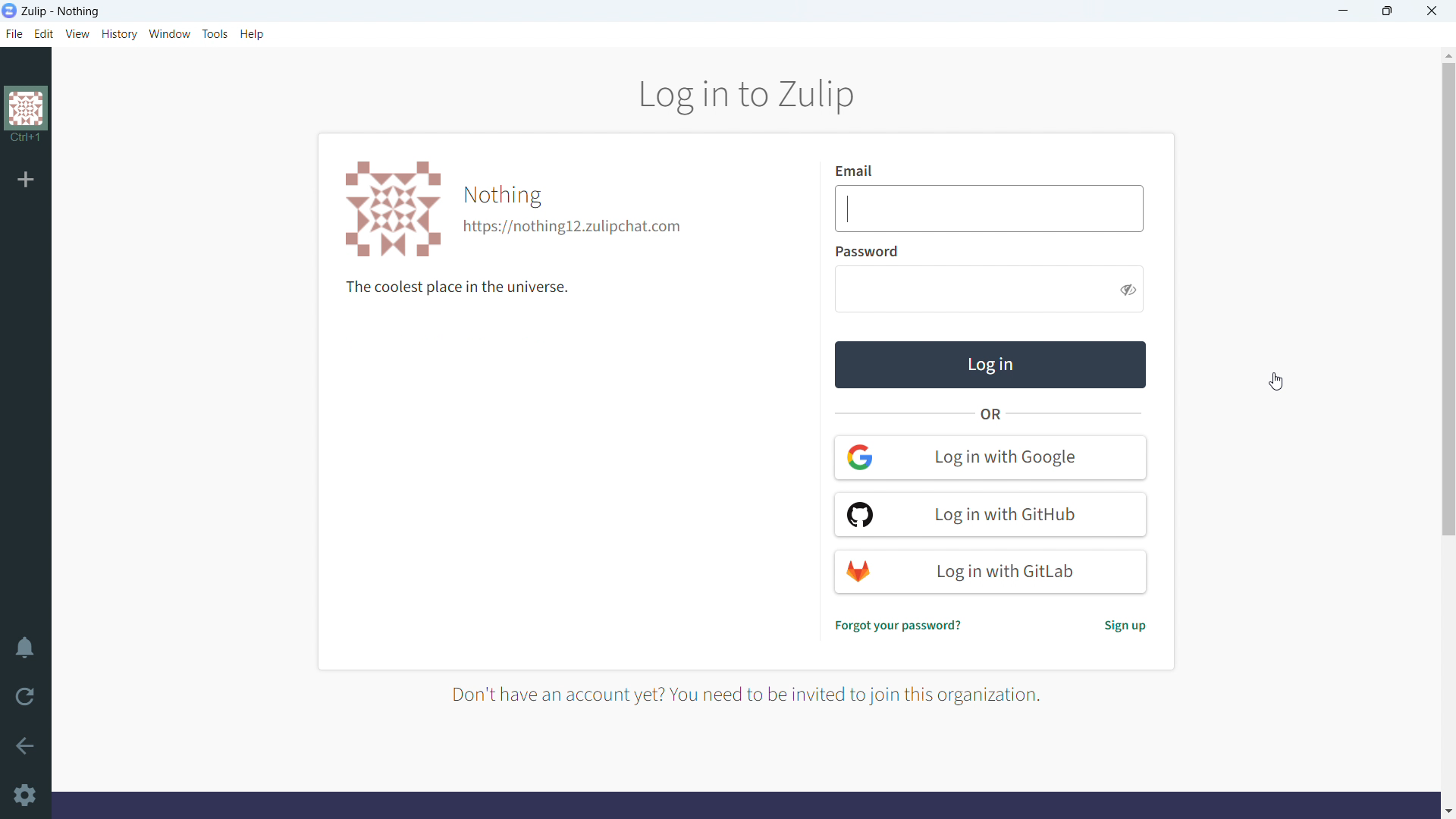  What do you see at coordinates (391, 209) in the screenshot?
I see `organization logo` at bounding box center [391, 209].